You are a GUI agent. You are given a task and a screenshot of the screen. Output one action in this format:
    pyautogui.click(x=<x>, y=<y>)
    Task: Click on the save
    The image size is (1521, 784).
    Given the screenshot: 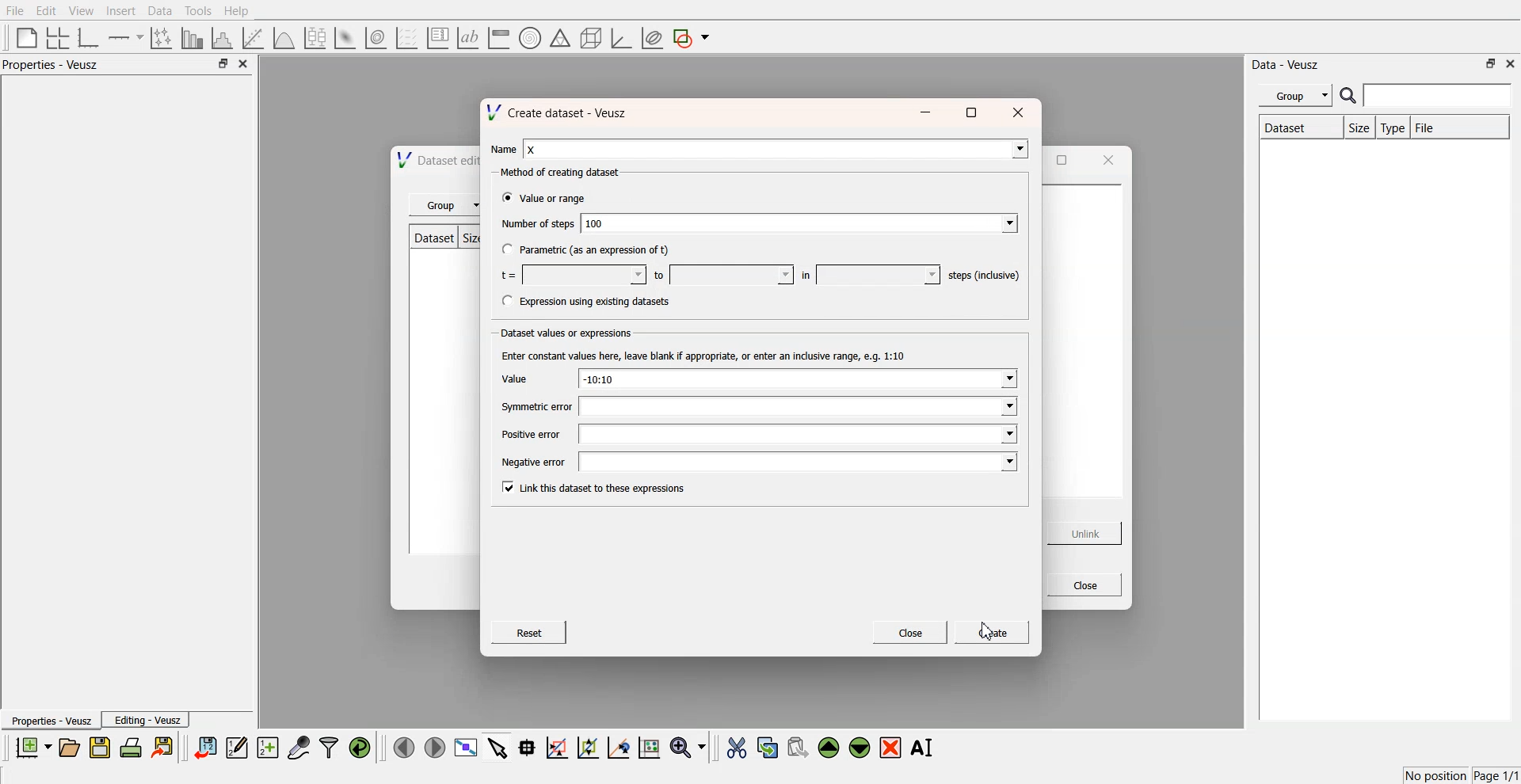 What is the action you would take?
    pyautogui.click(x=102, y=748)
    